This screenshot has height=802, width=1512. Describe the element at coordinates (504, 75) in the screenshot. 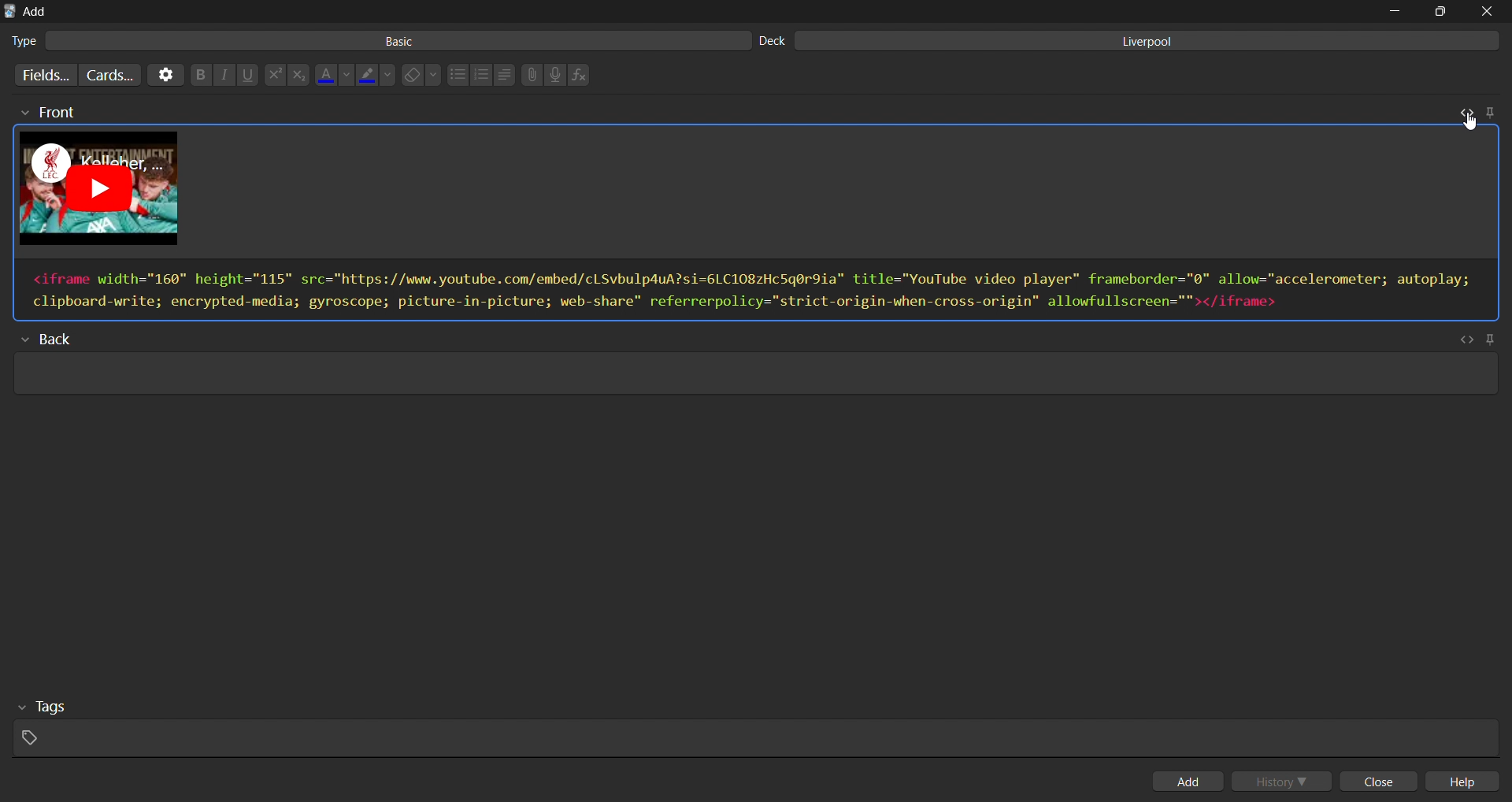

I see `line spacing` at that location.